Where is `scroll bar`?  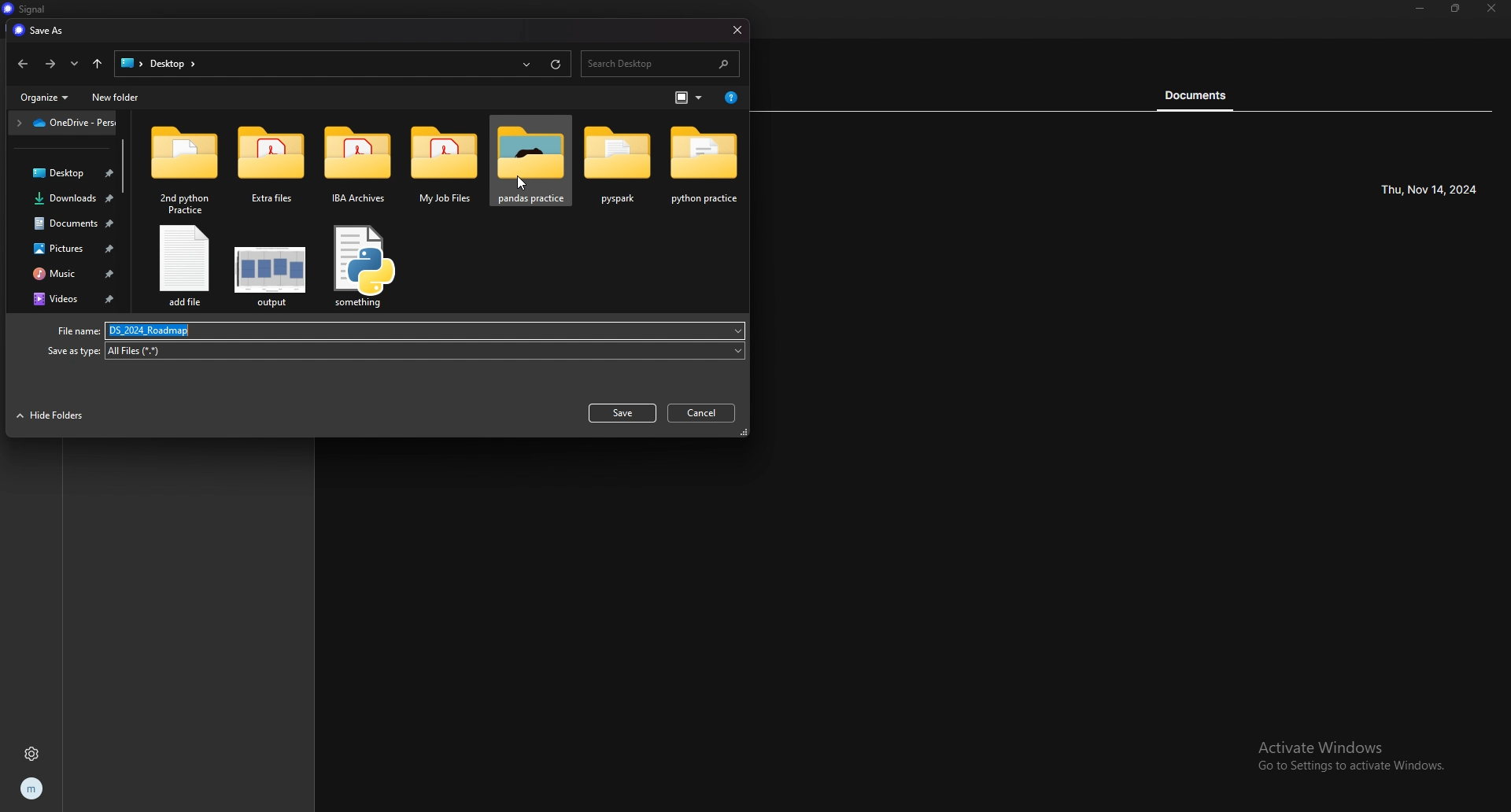
scroll bar is located at coordinates (122, 166).